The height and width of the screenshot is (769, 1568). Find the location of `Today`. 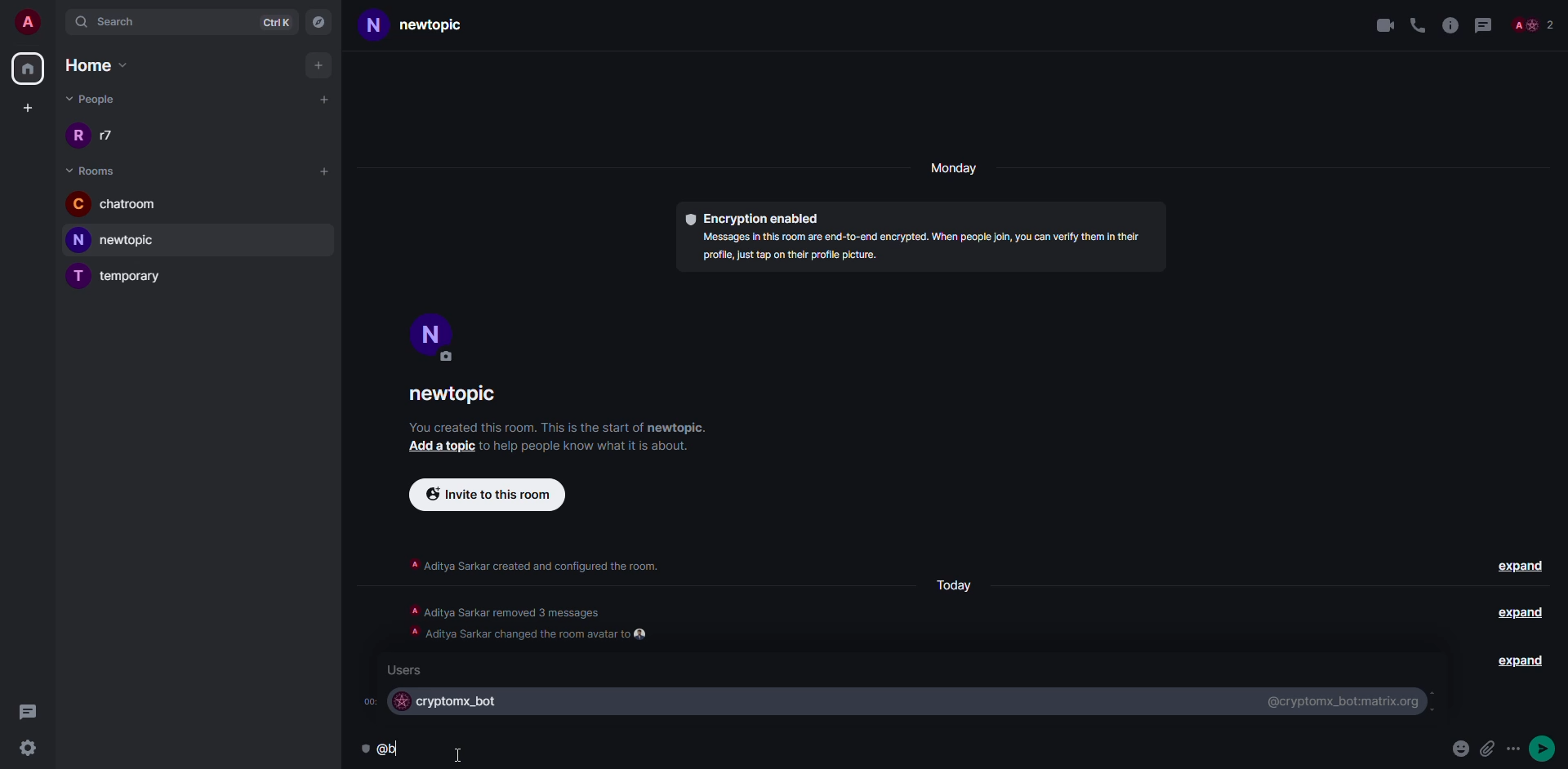

Today is located at coordinates (952, 585).